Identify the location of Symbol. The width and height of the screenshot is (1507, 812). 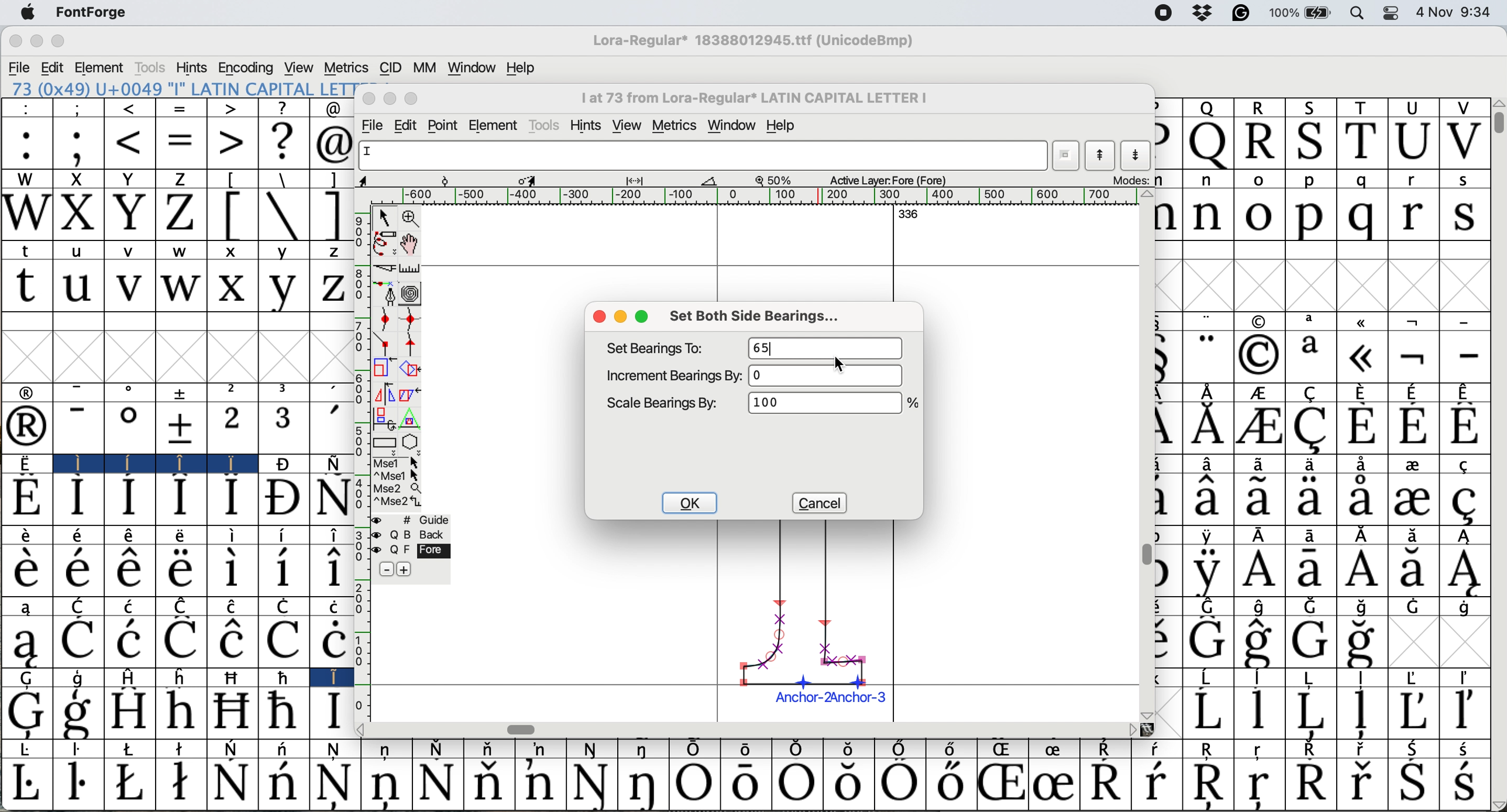
(236, 677).